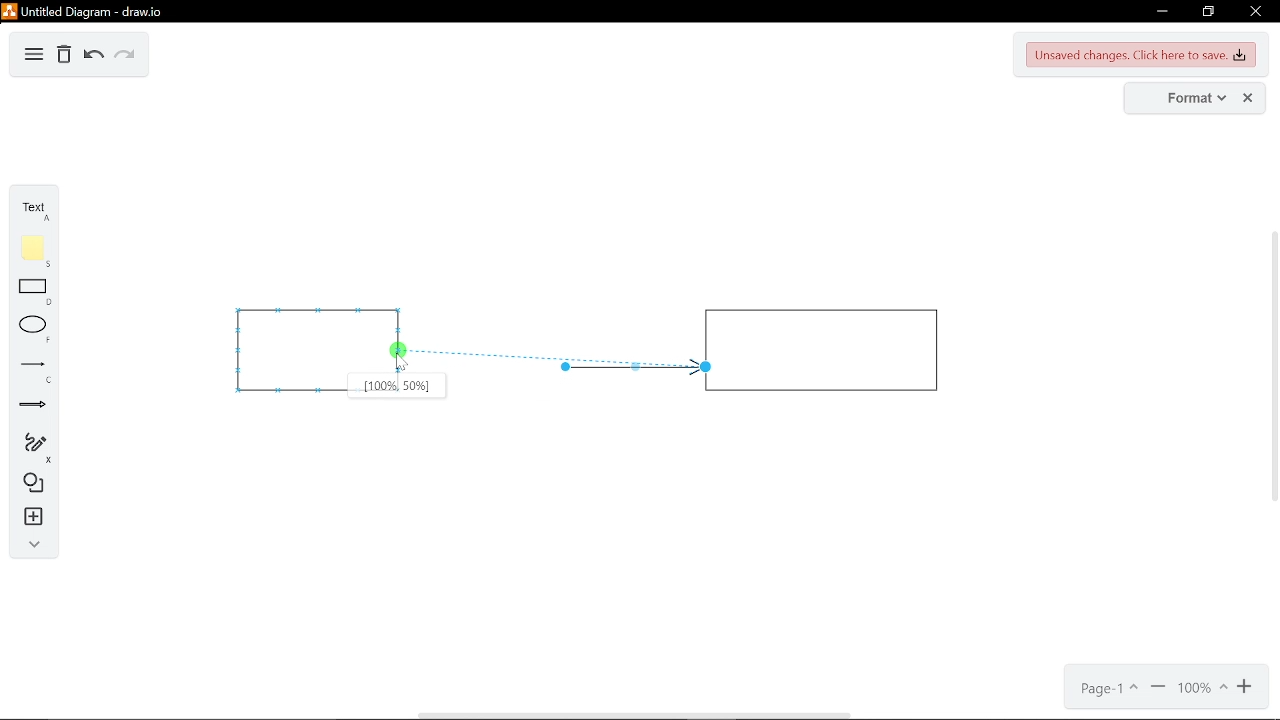  Describe the element at coordinates (27, 406) in the screenshot. I see `arrows` at that location.